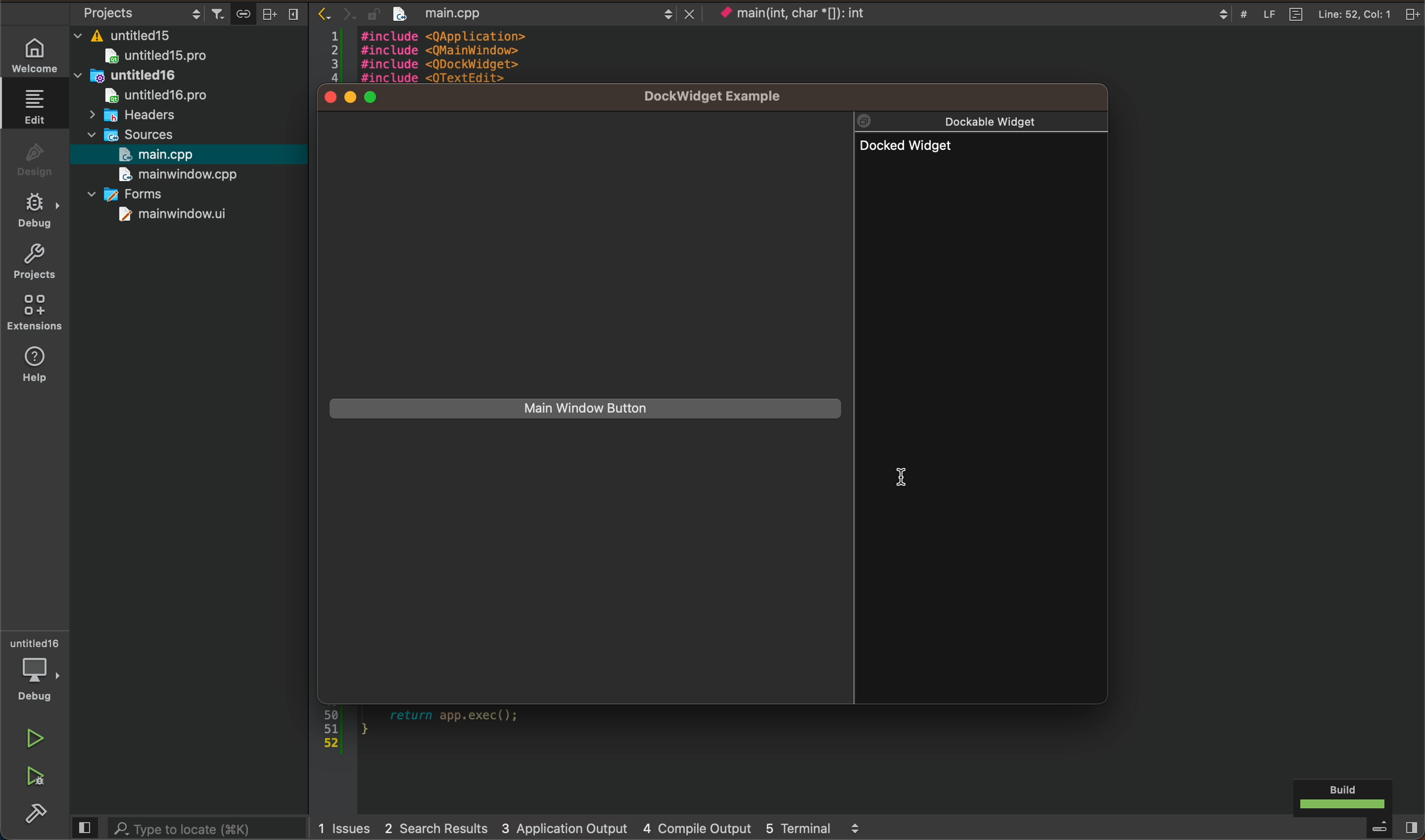  I want to click on projects, so click(35, 259).